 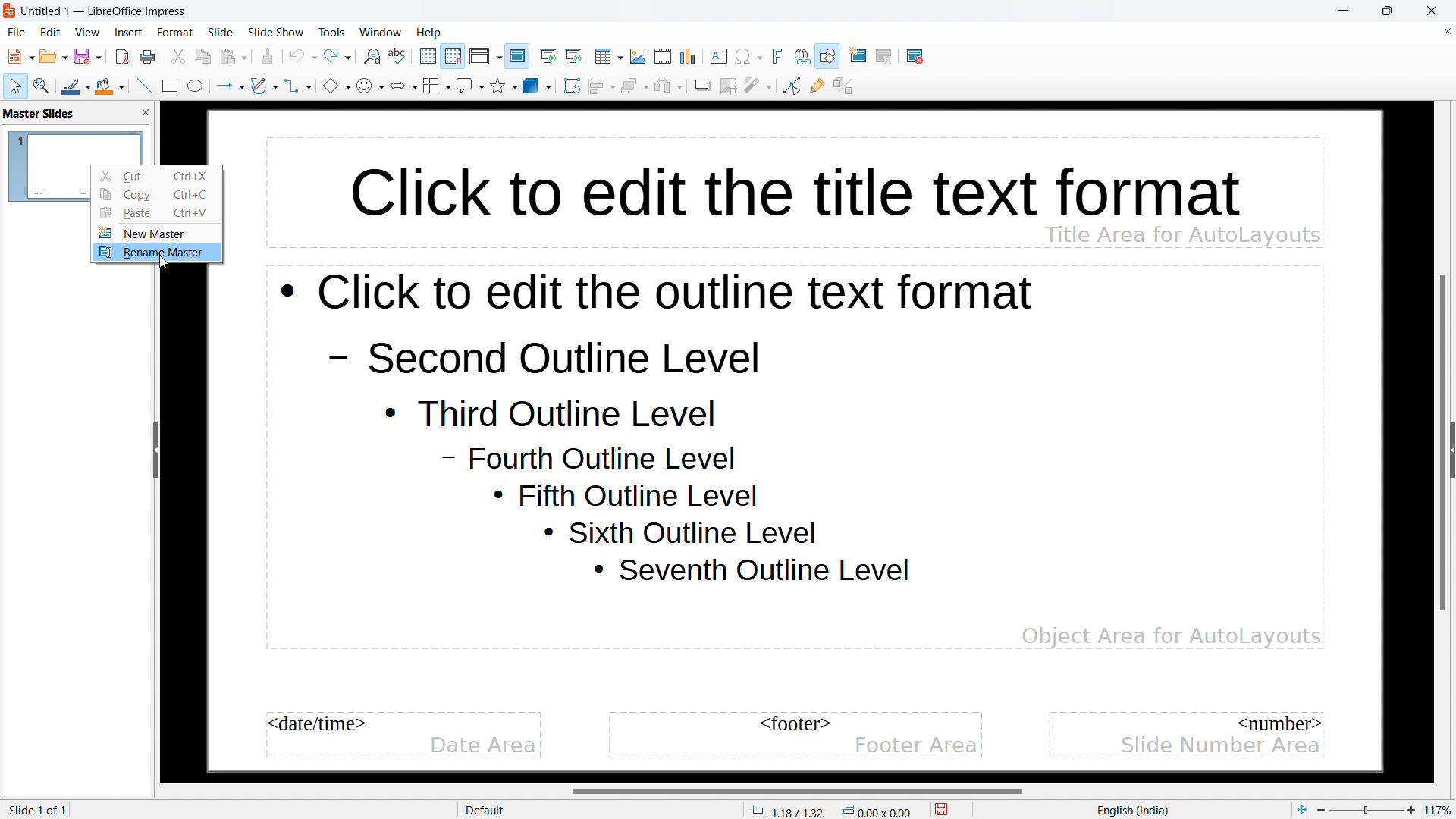 What do you see at coordinates (1367, 810) in the screenshot?
I see `Zoom percent` at bounding box center [1367, 810].